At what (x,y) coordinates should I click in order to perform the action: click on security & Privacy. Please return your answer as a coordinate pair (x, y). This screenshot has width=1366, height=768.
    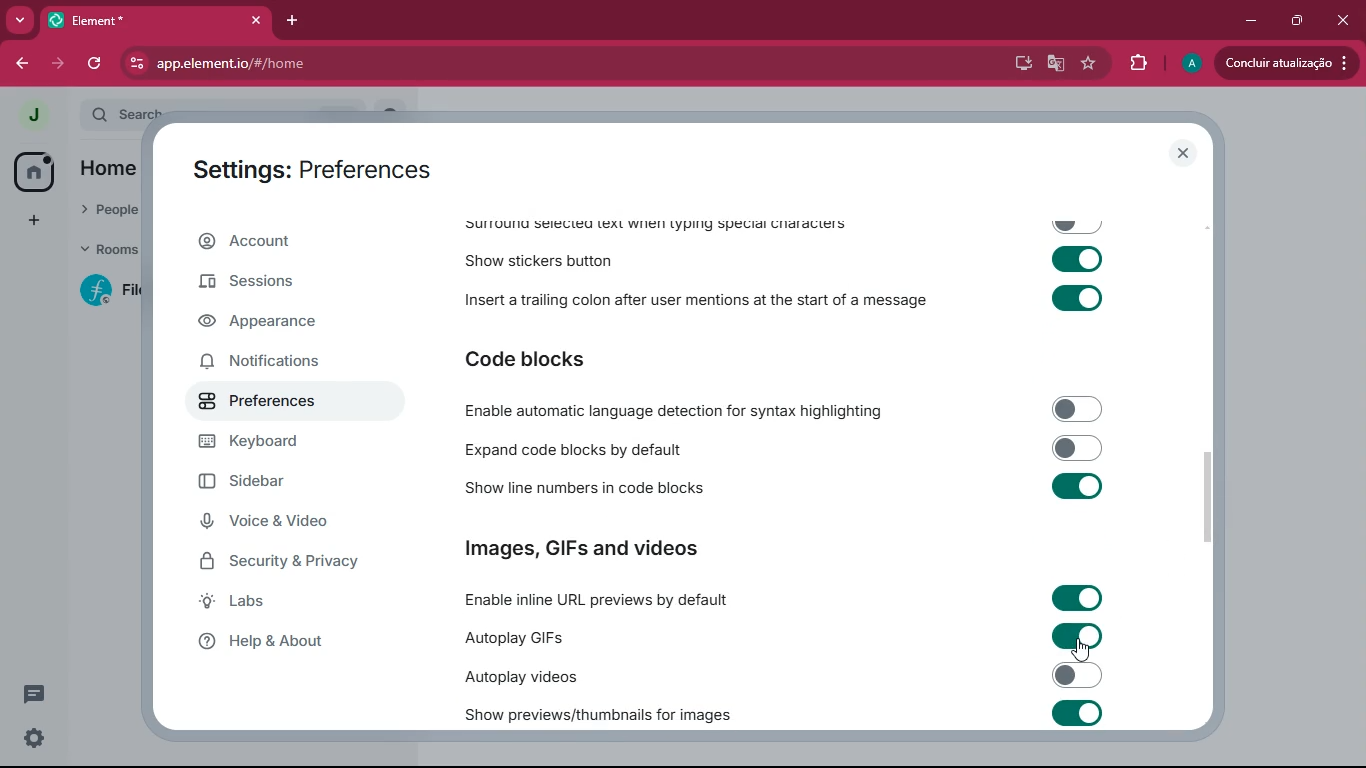
    Looking at the image, I should click on (287, 563).